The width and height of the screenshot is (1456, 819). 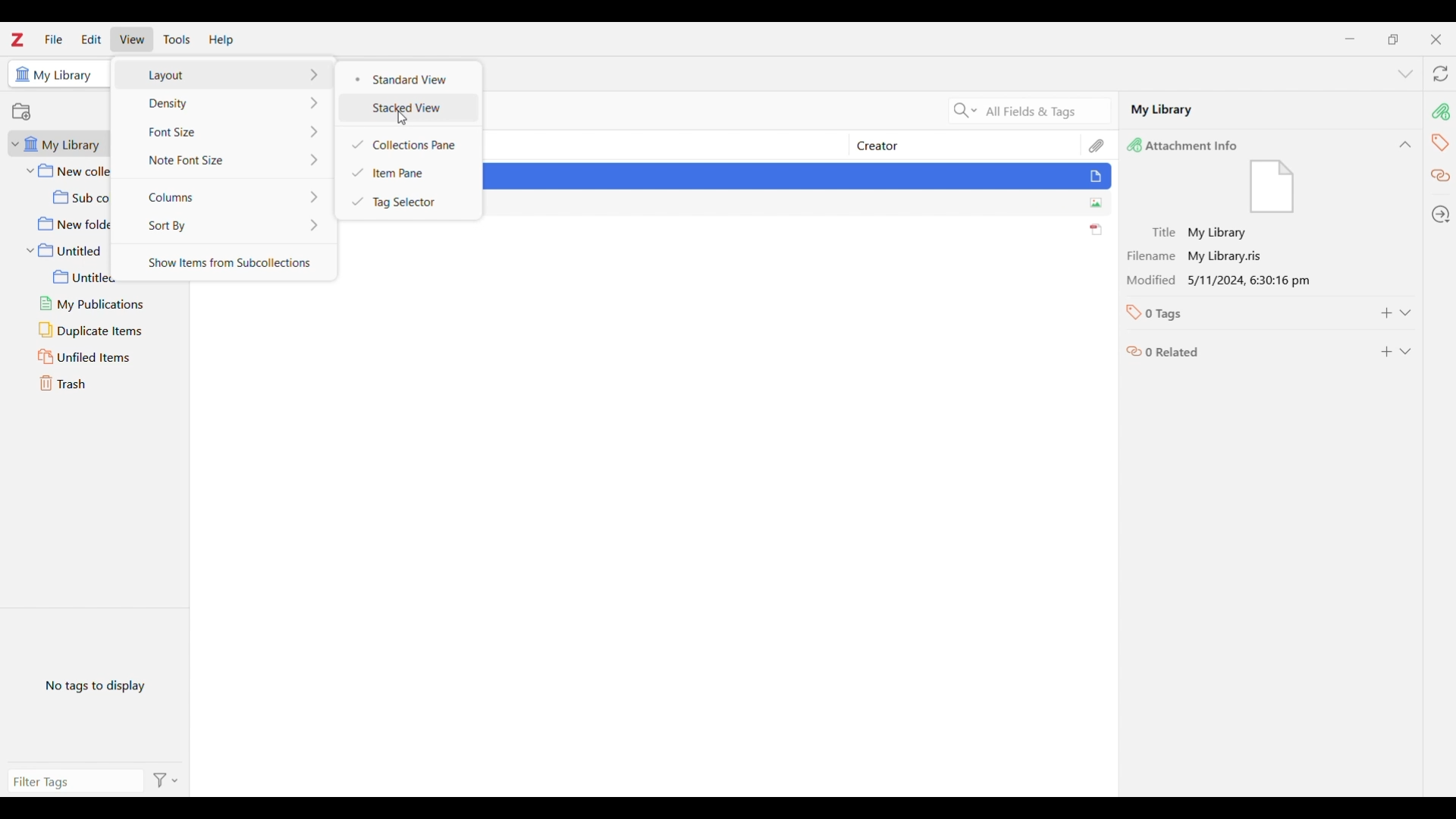 I want to click on 0 related, so click(x=1168, y=353).